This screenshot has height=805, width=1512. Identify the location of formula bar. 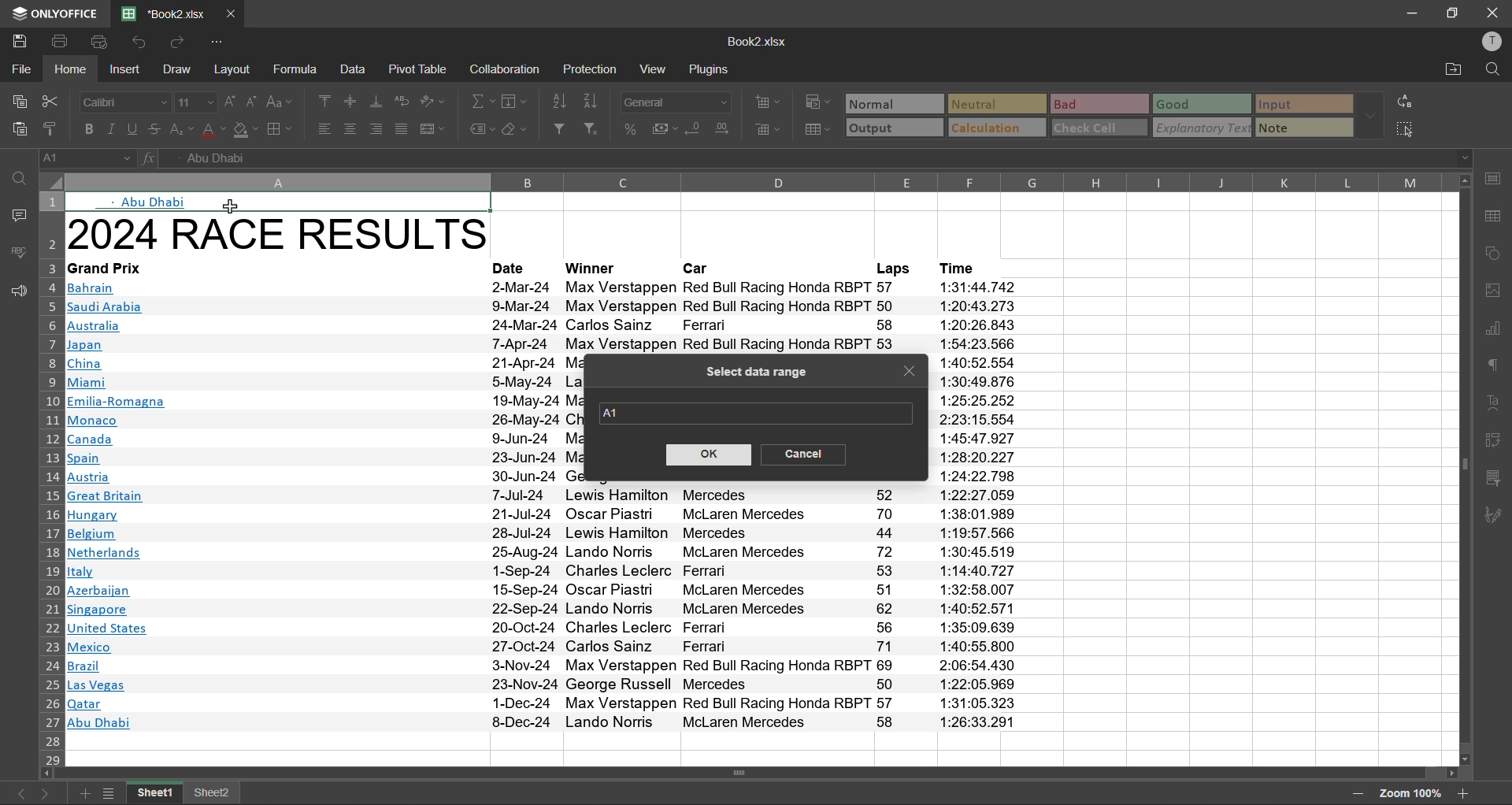
(813, 158).